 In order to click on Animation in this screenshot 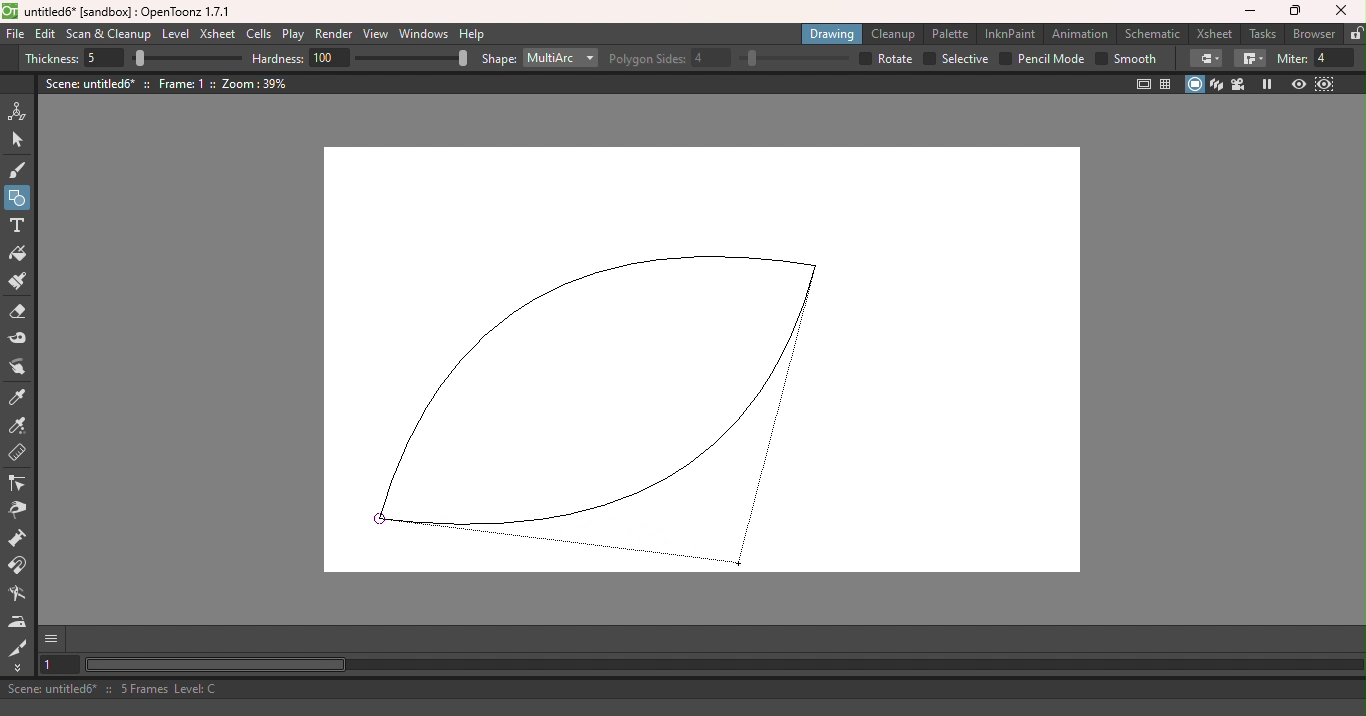, I will do `click(1080, 32)`.